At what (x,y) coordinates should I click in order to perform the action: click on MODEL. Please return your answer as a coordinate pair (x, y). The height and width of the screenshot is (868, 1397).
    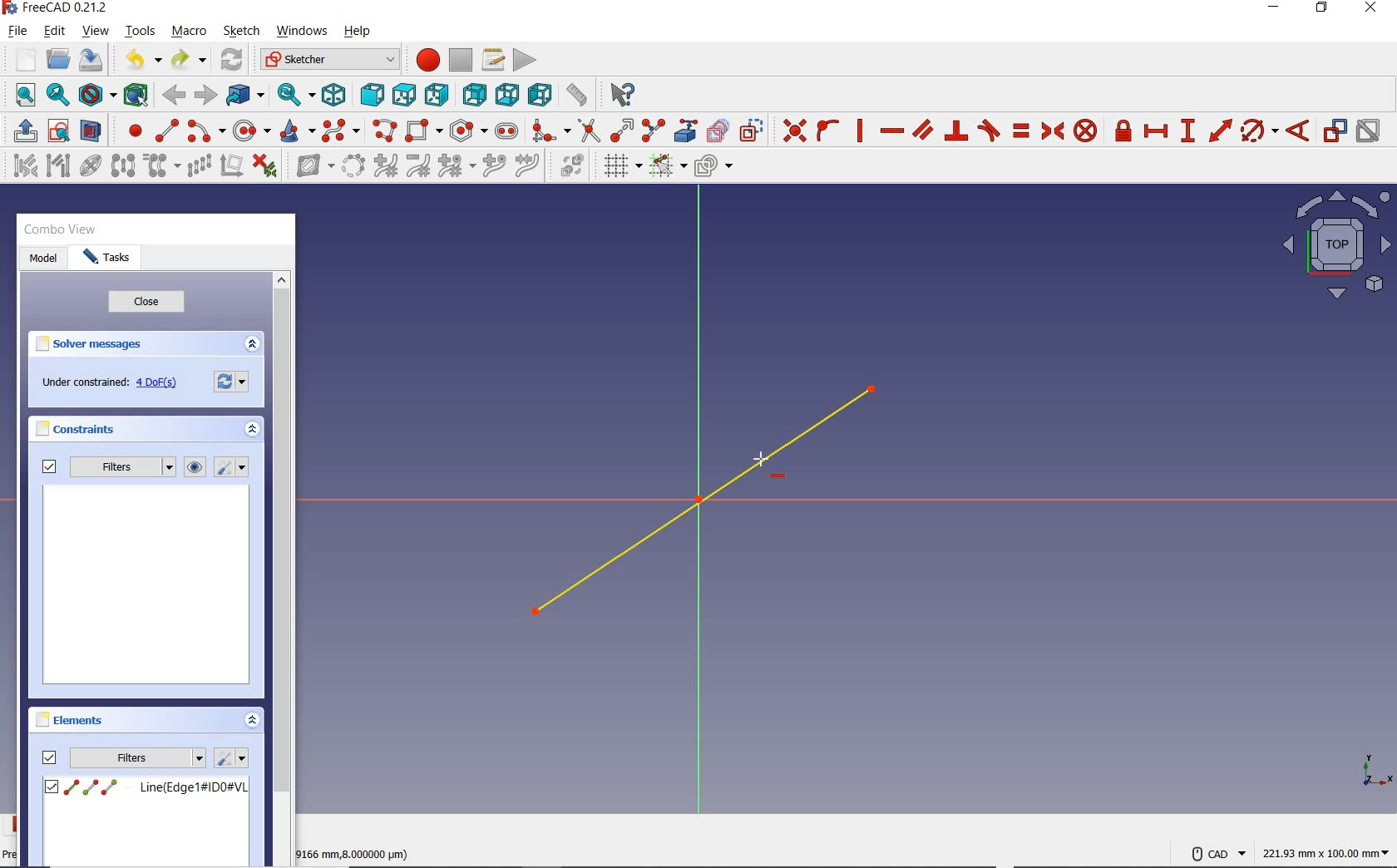
    Looking at the image, I should click on (41, 257).